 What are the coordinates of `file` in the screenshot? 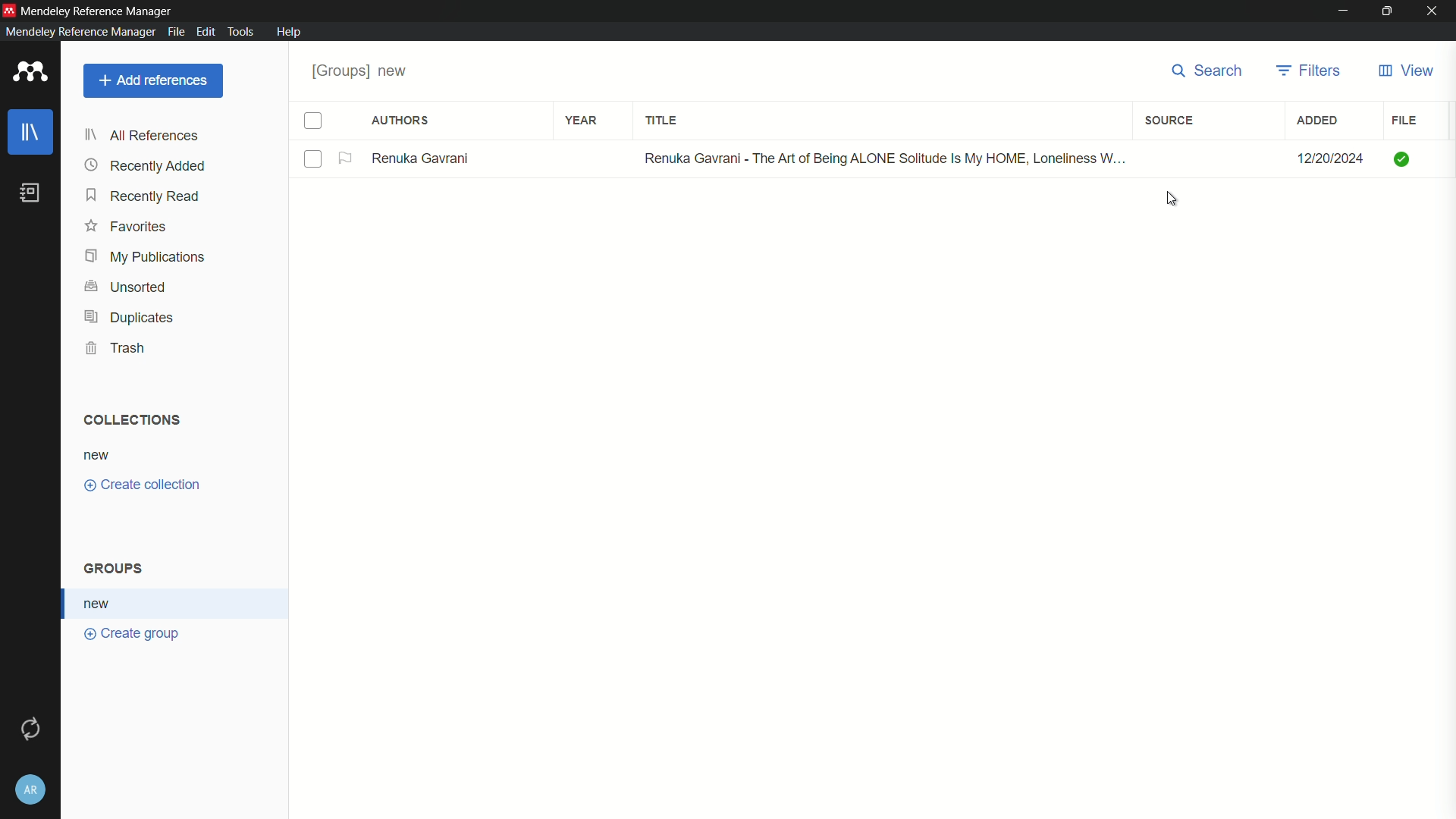 It's located at (1404, 121).